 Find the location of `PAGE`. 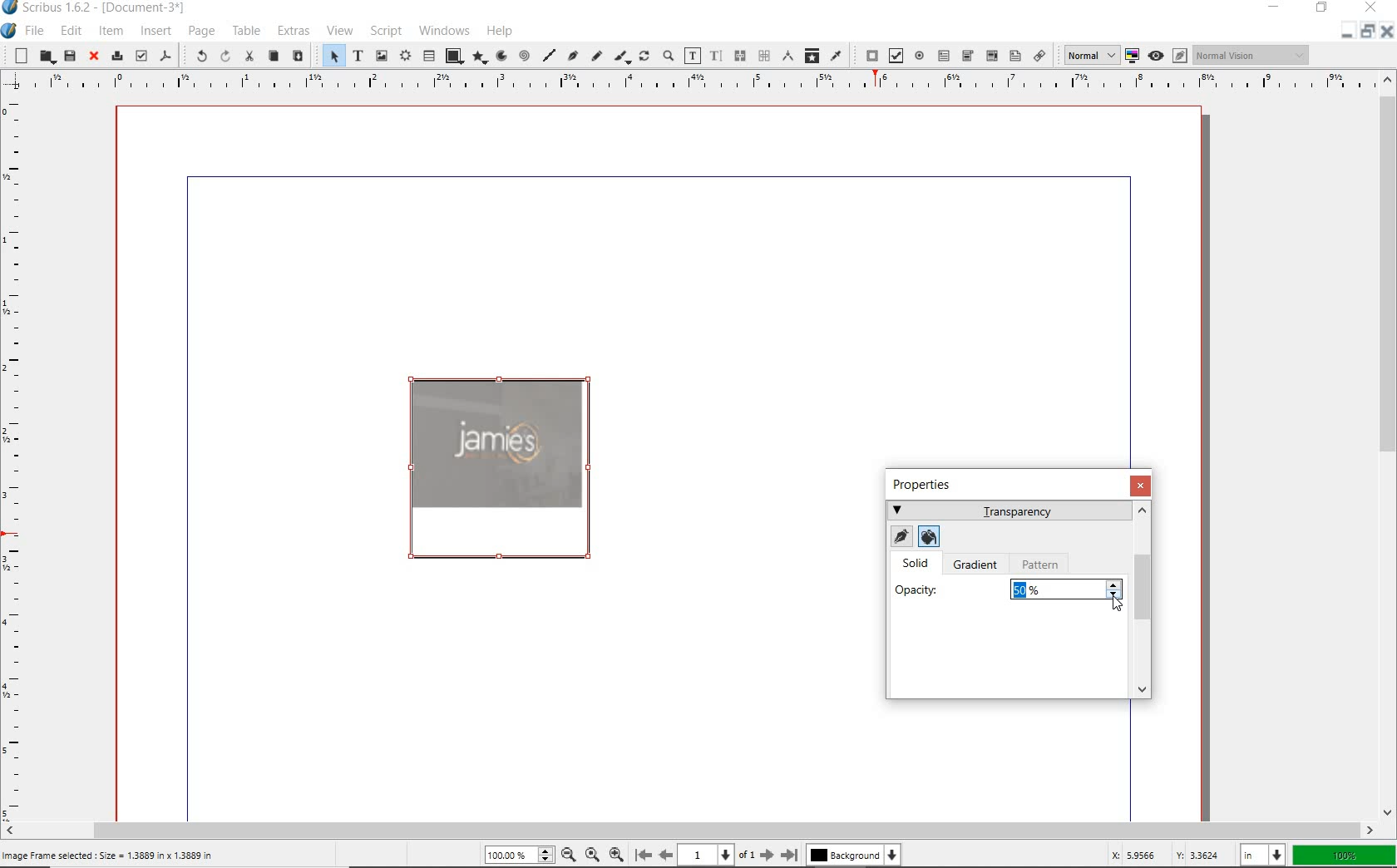

PAGE is located at coordinates (201, 32).